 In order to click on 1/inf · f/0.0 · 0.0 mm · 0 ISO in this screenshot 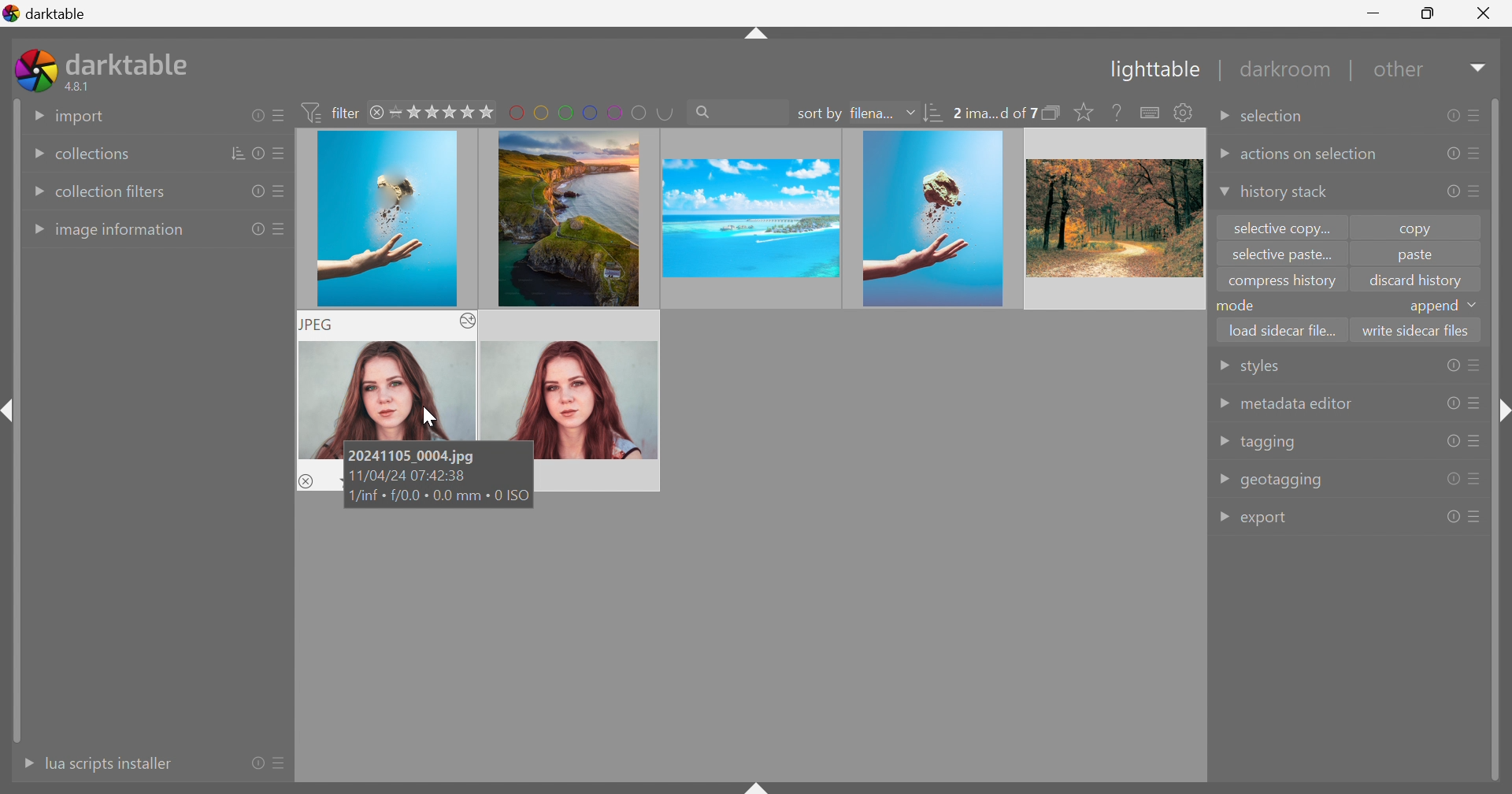, I will do `click(438, 499)`.